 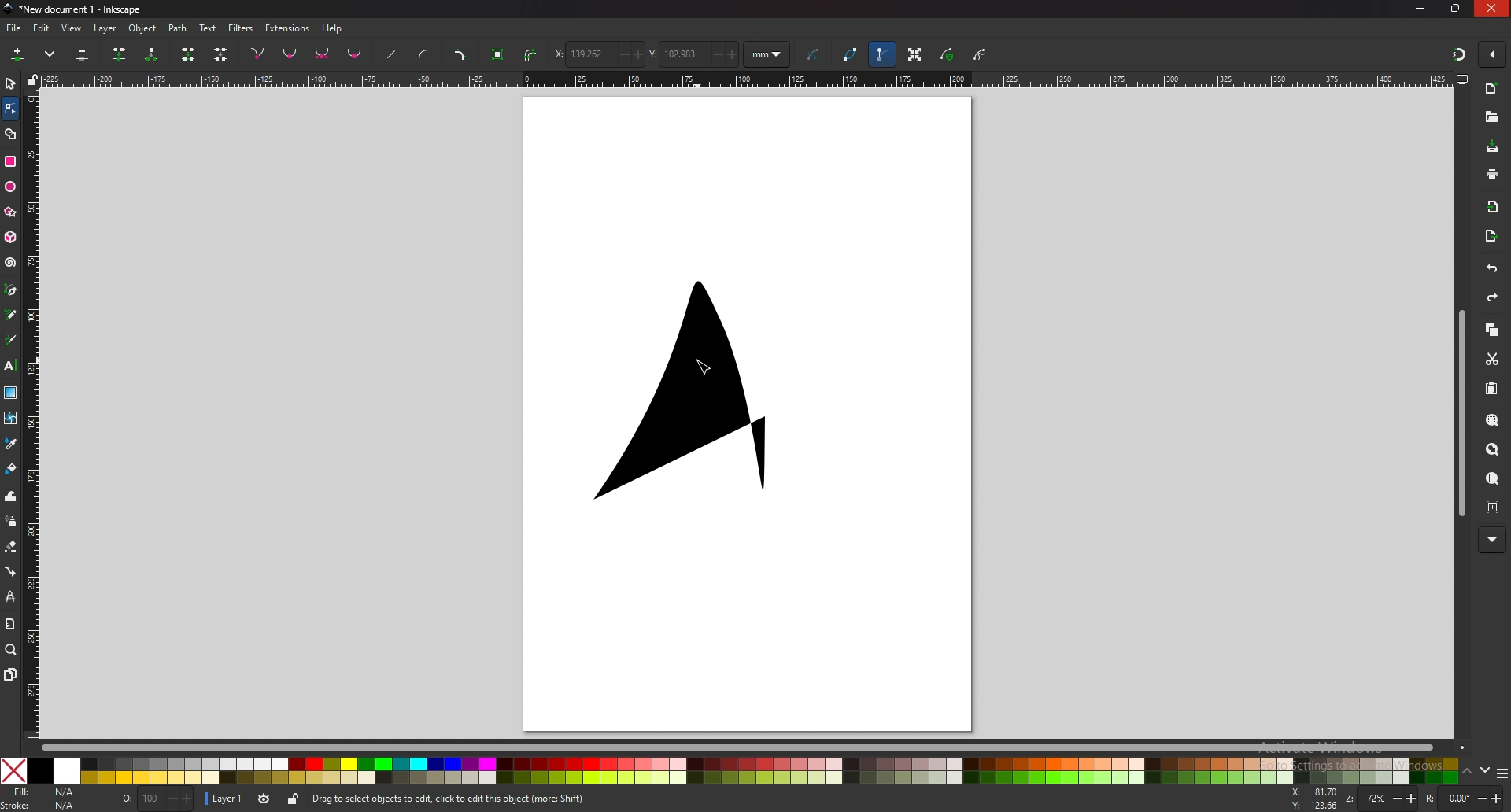 I want to click on cursor coordinates, so click(x=1314, y=799).